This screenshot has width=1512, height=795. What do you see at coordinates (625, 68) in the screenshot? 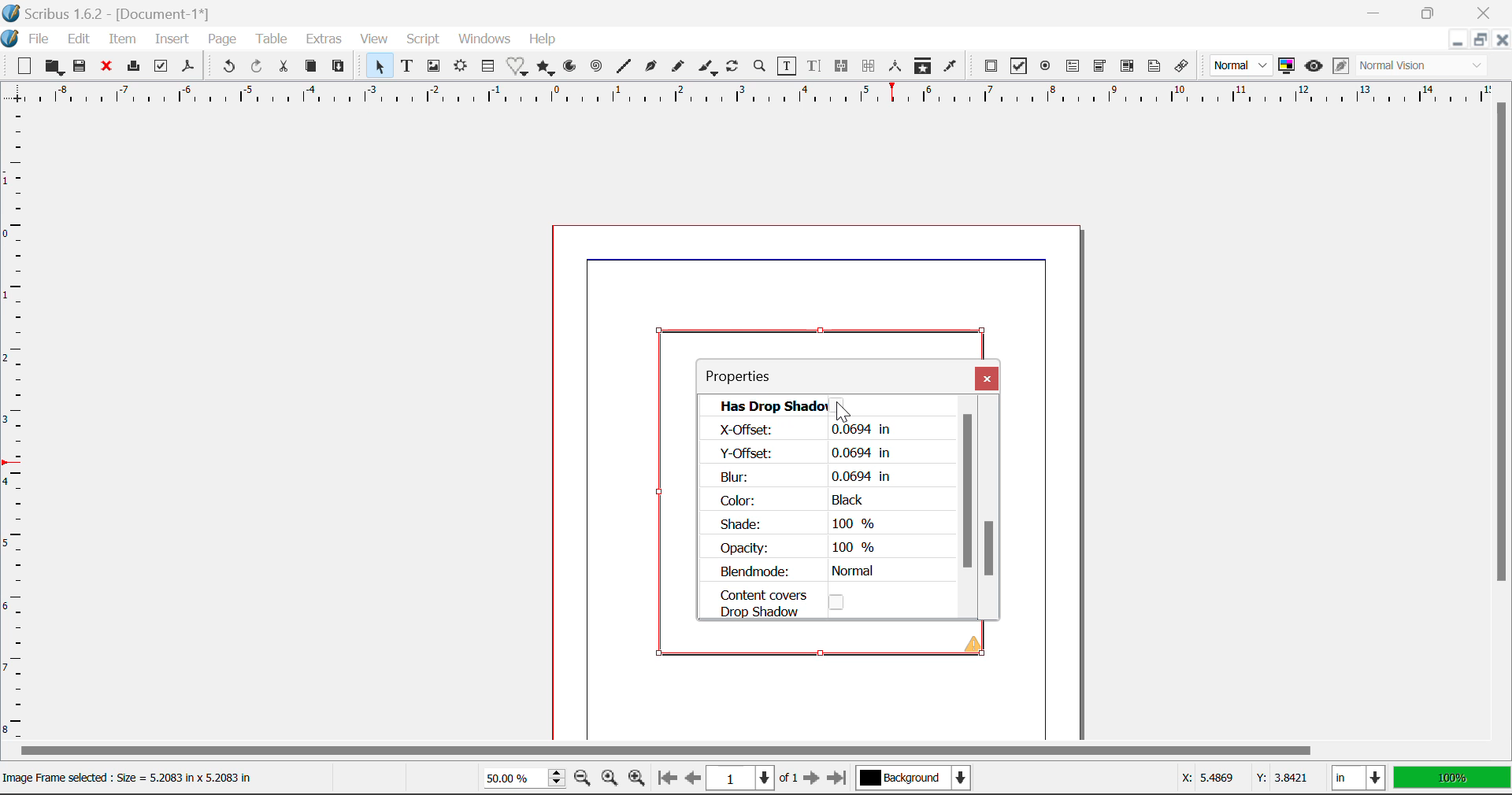
I see `Line` at bounding box center [625, 68].